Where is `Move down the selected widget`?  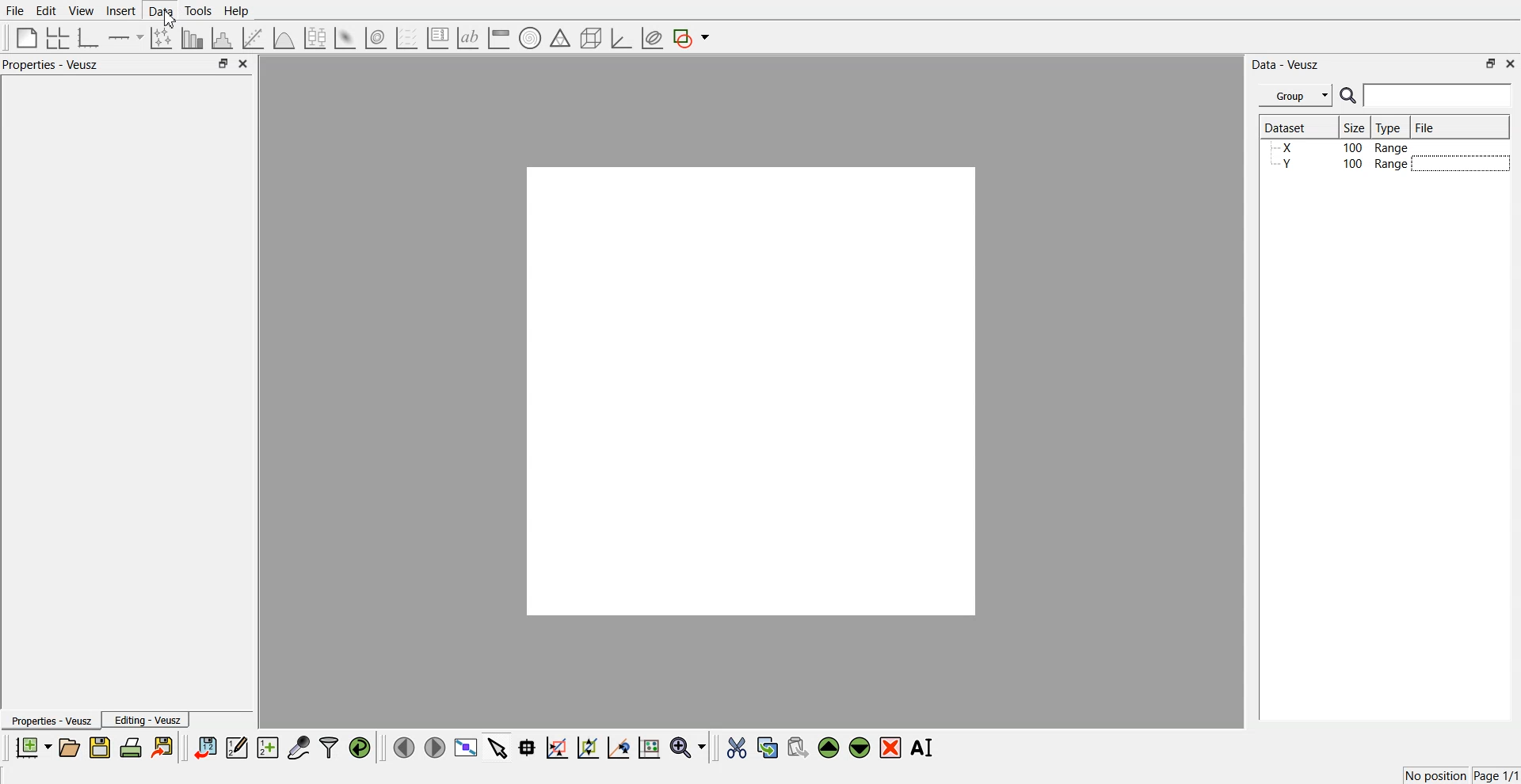
Move down the selected widget is located at coordinates (860, 748).